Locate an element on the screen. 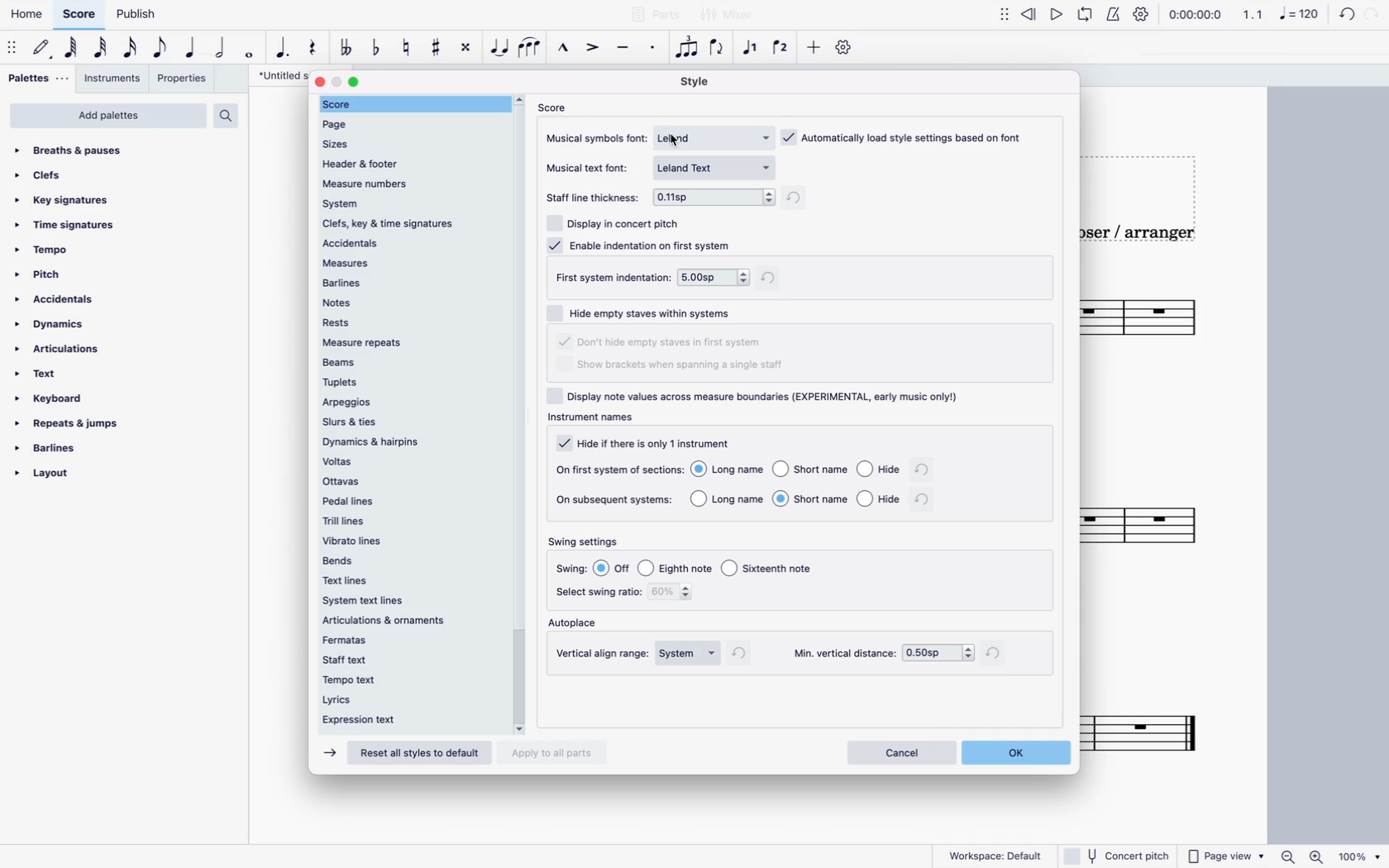 Image resolution: width=1389 pixels, height=868 pixels. options is located at coordinates (795, 498).